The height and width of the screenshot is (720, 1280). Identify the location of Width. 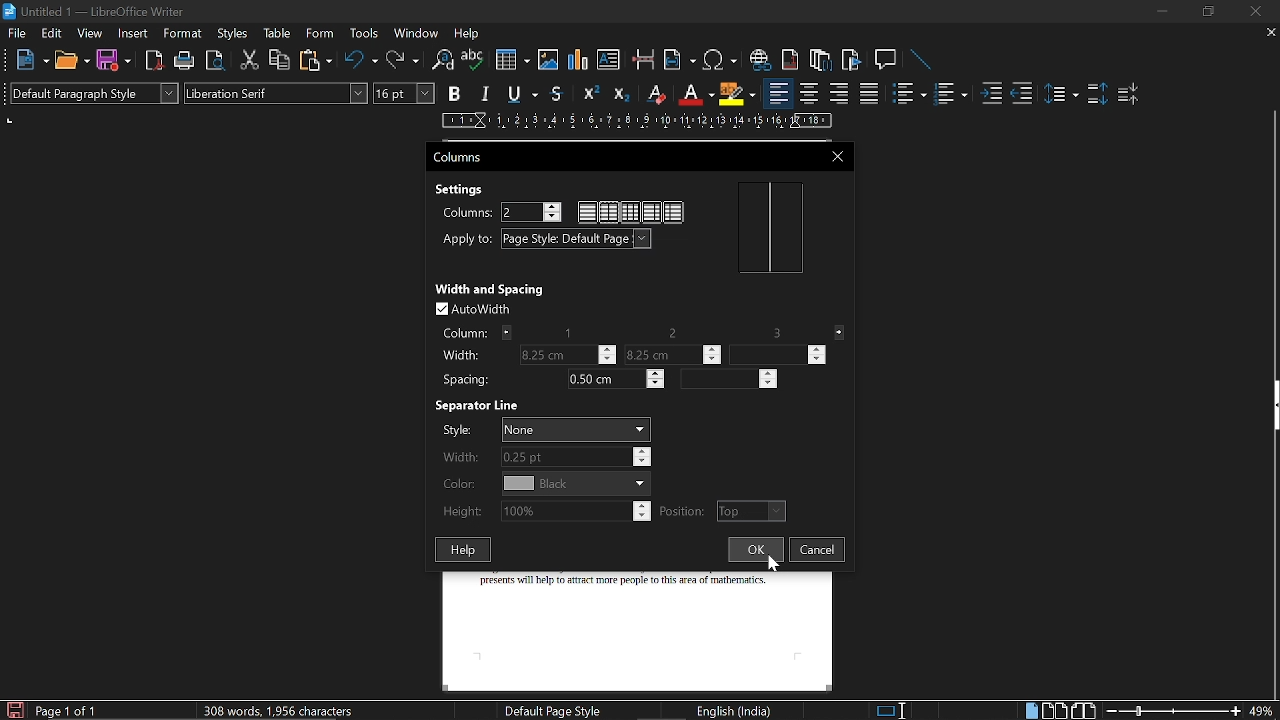
(546, 457).